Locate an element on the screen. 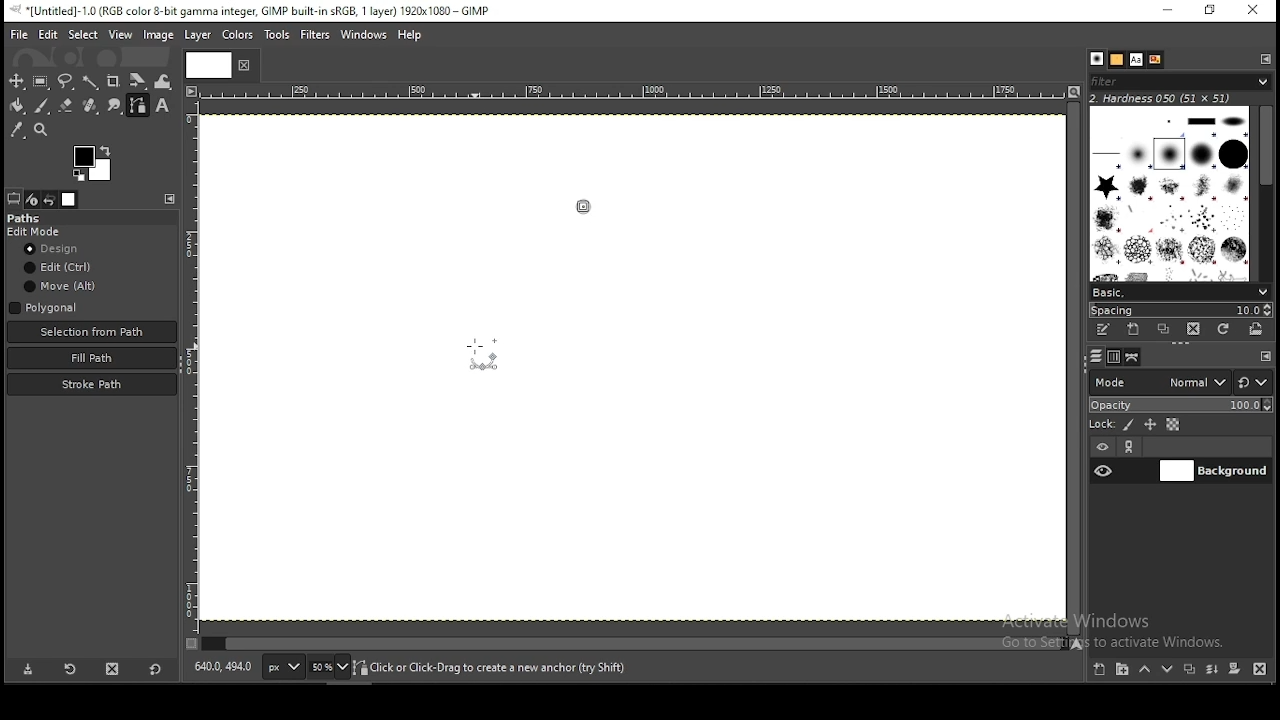  brushes is located at coordinates (1097, 59).